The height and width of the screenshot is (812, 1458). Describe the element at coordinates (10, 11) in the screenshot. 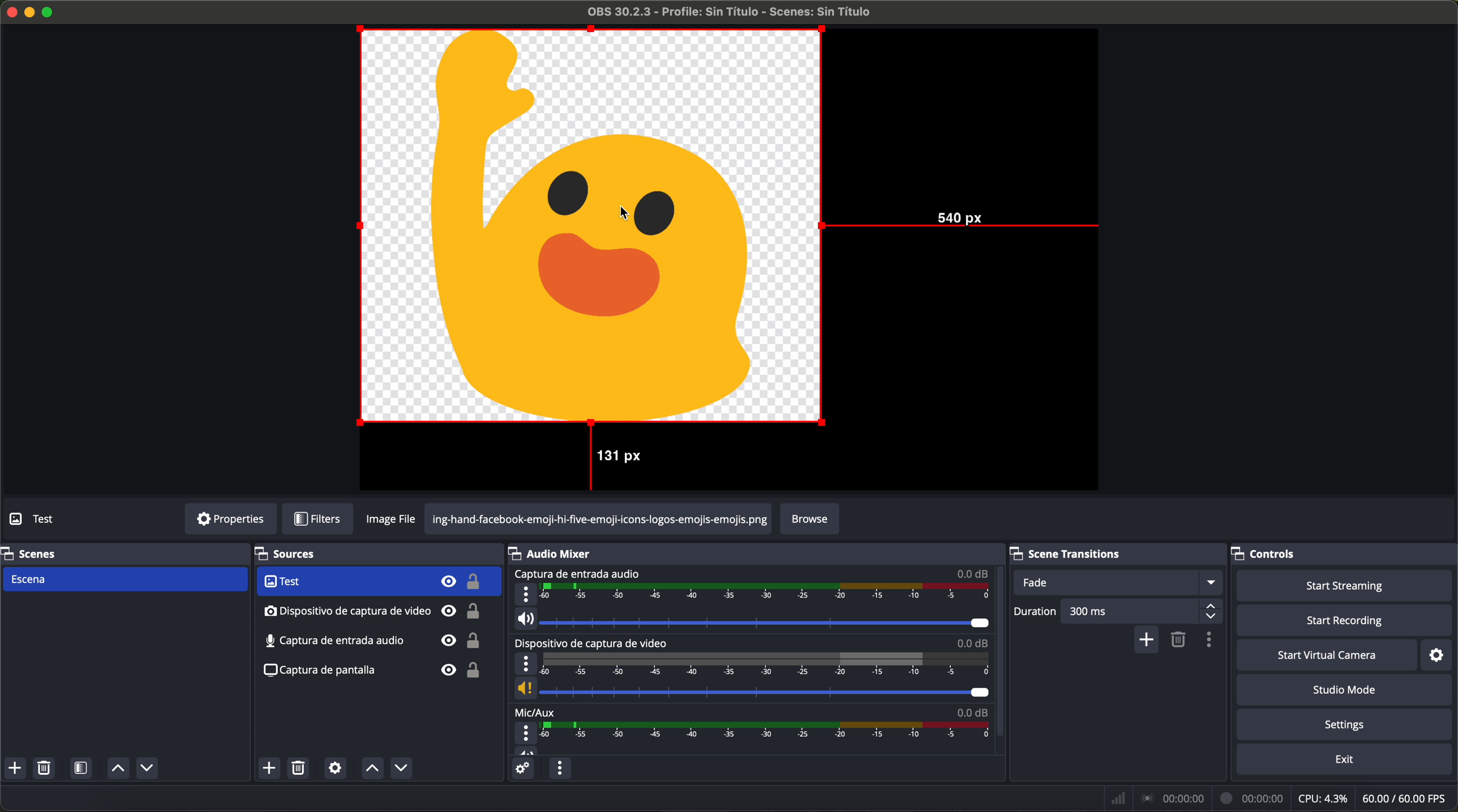

I see `close program` at that location.